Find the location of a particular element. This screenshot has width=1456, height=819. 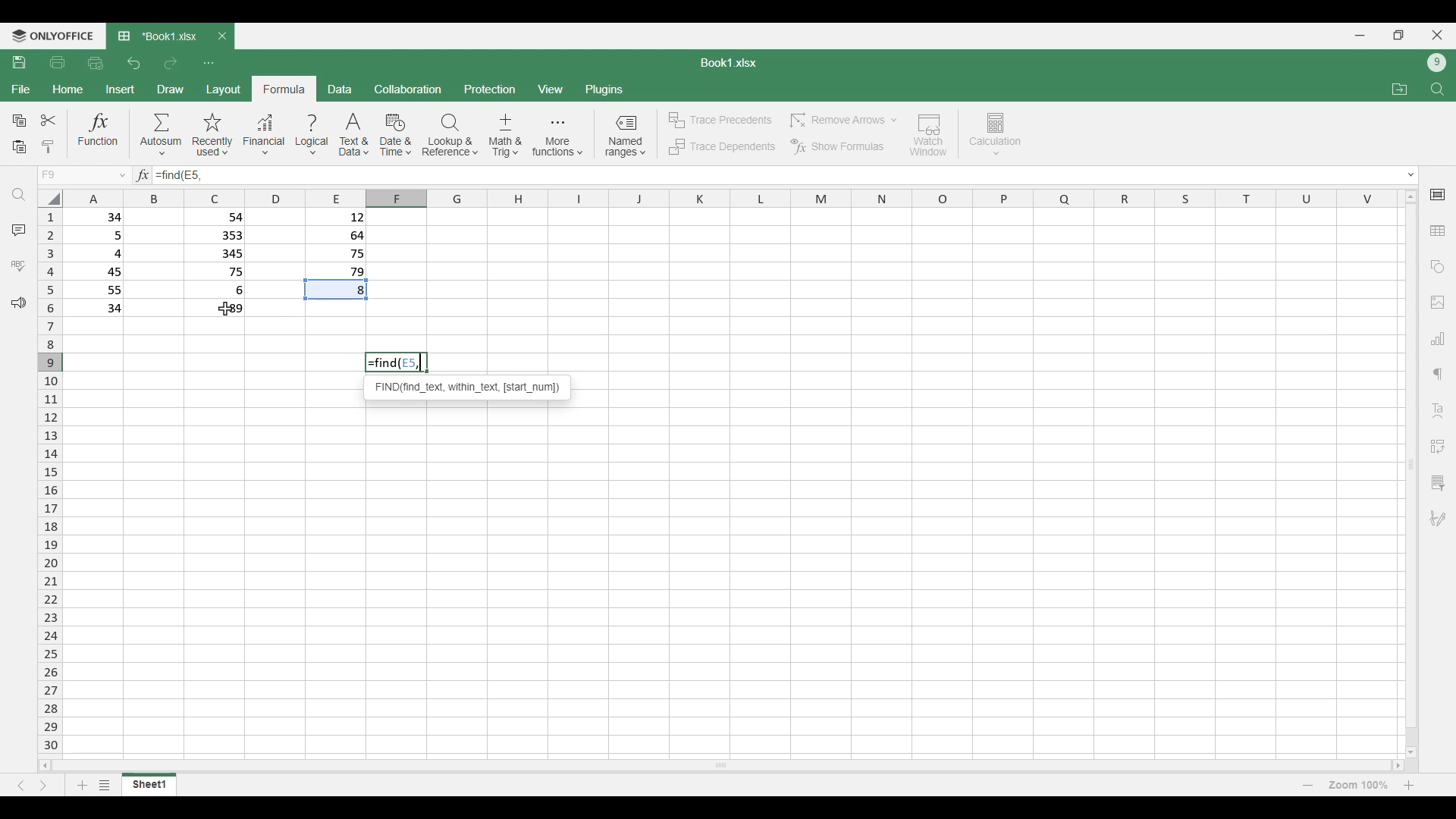

Protection menu is located at coordinates (490, 89).